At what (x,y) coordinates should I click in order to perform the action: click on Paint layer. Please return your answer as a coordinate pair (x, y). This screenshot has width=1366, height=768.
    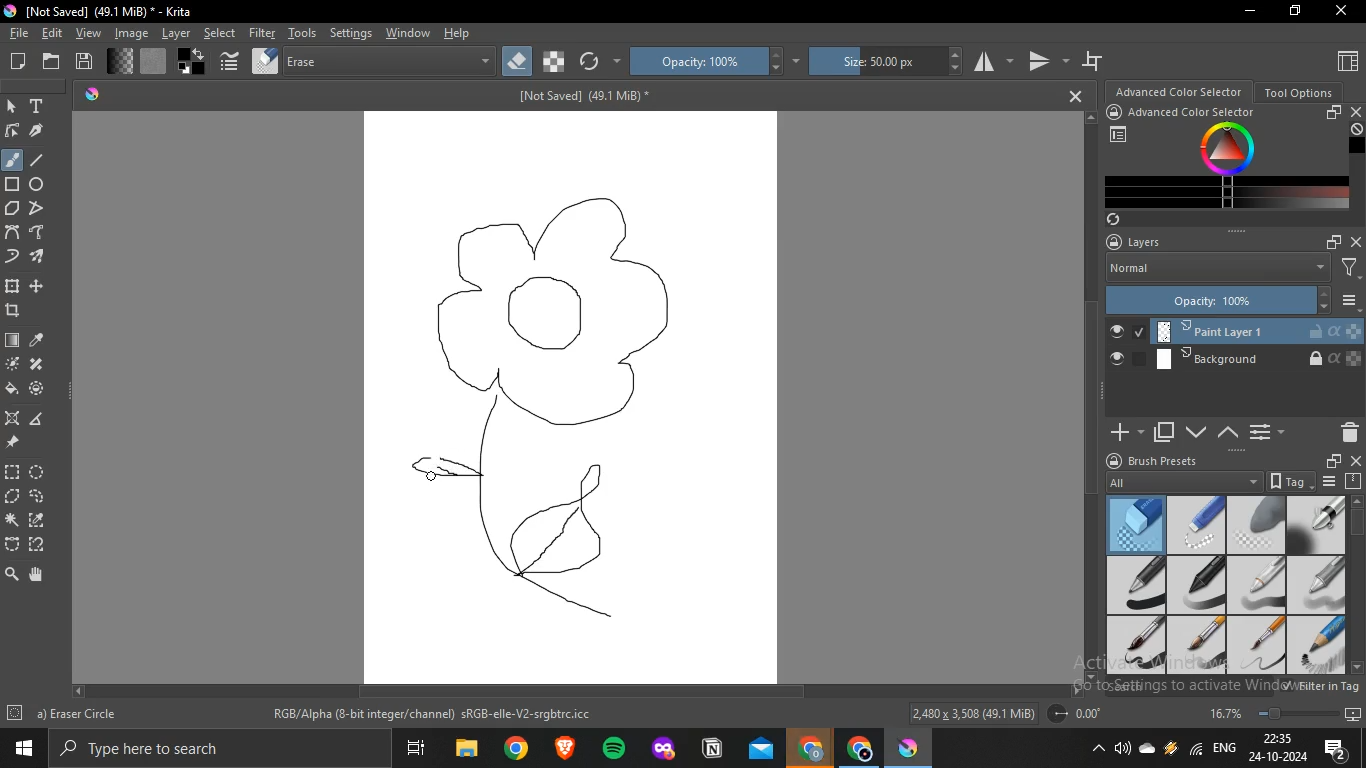
    Looking at the image, I should click on (1235, 328).